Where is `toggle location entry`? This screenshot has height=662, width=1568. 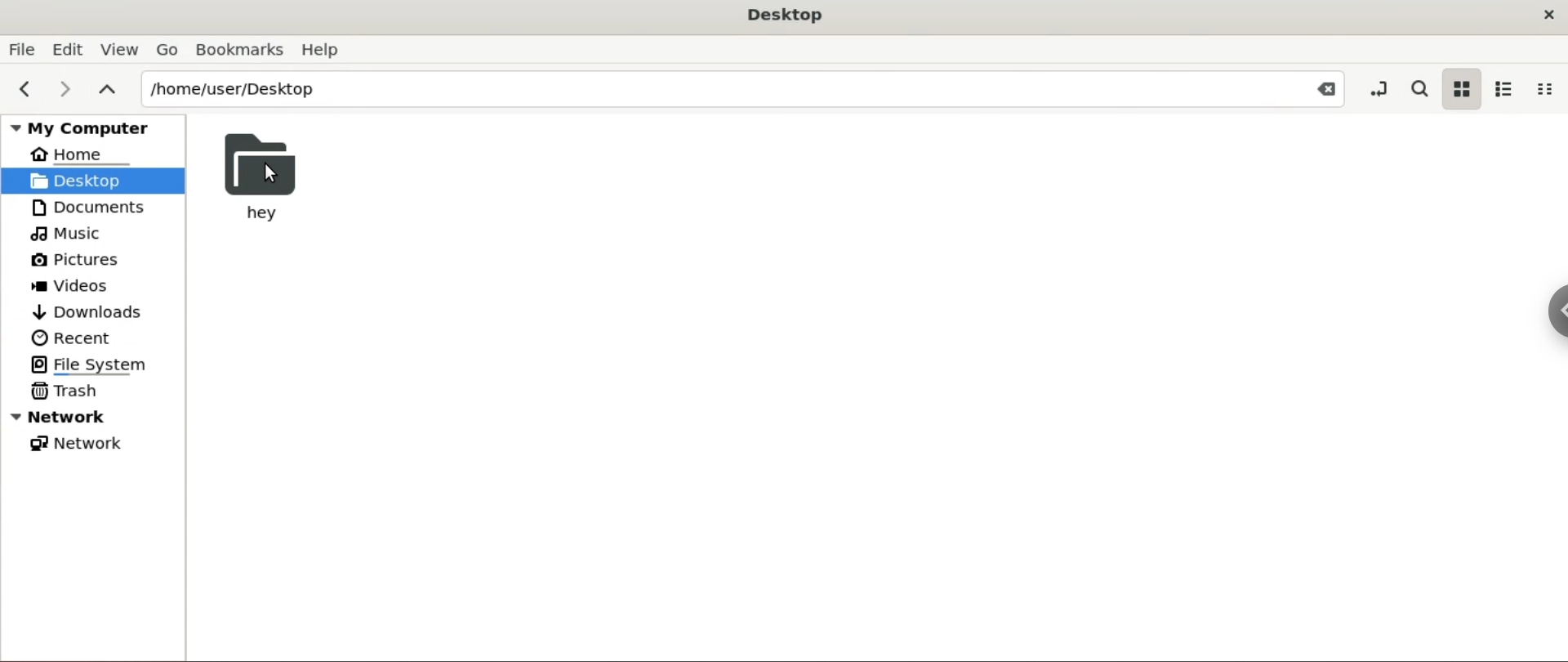 toggle location entry is located at coordinates (1374, 89).